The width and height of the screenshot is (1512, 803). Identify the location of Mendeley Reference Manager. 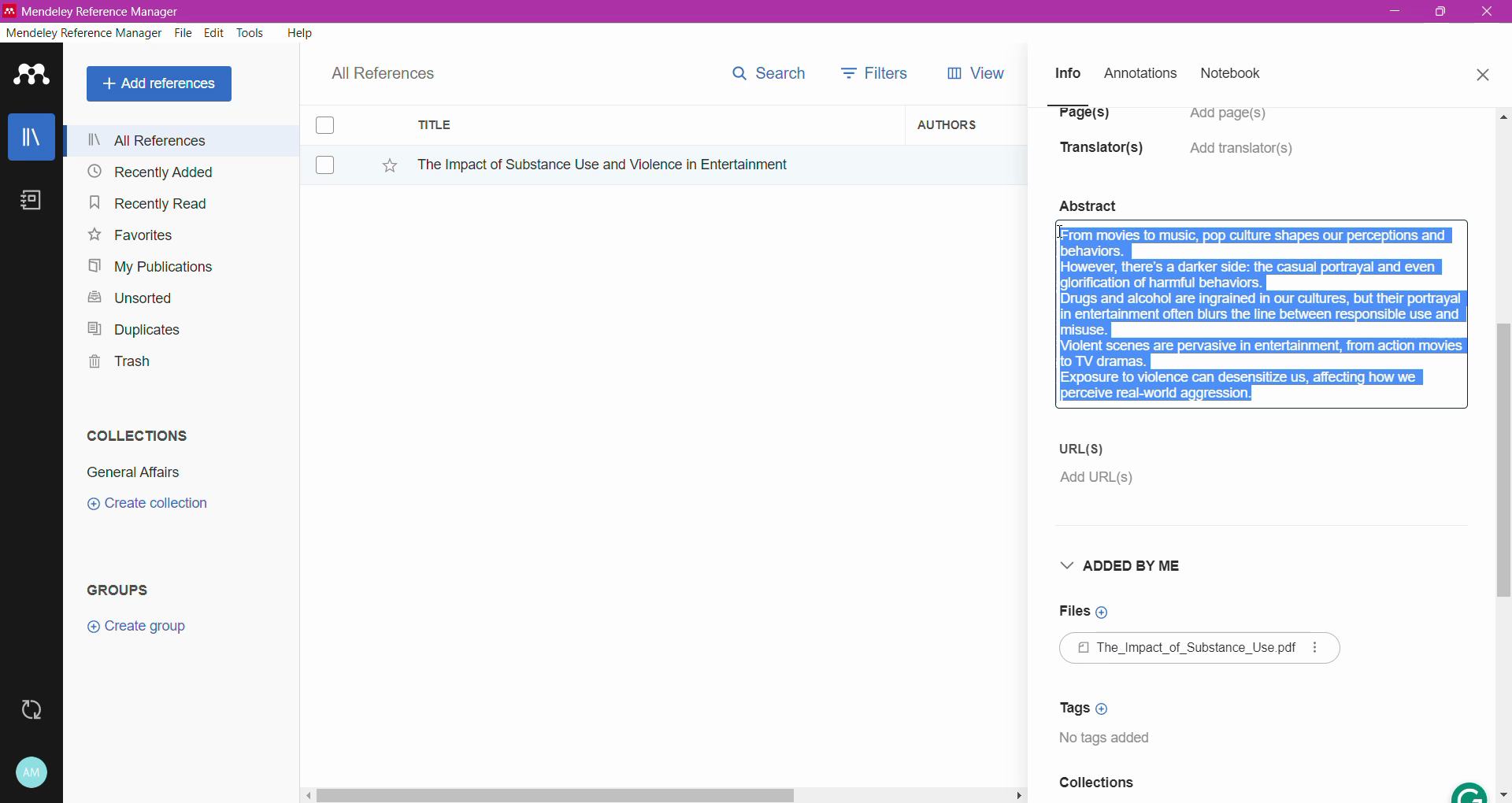
(84, 33).